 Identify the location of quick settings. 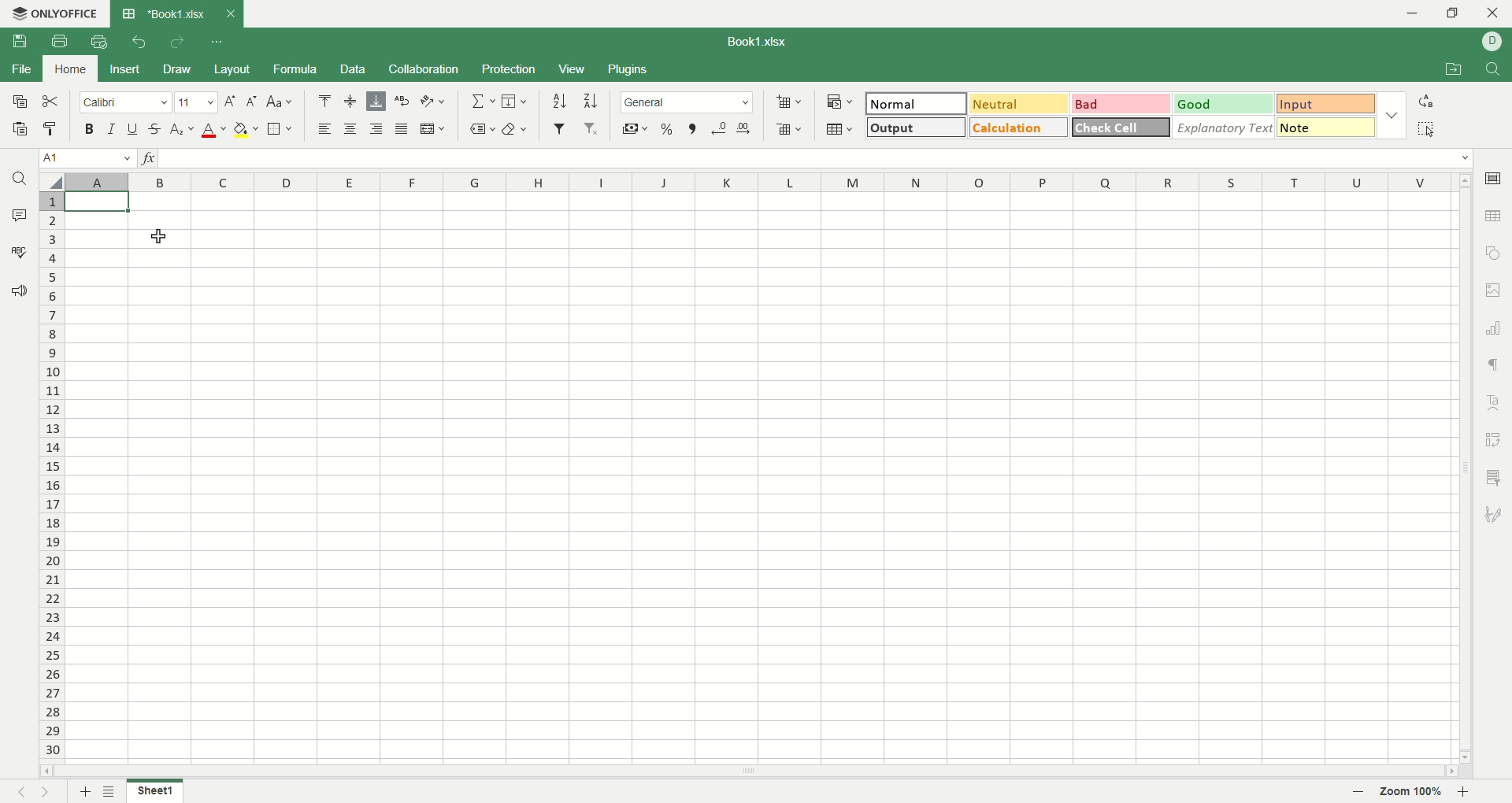
(215, 41).